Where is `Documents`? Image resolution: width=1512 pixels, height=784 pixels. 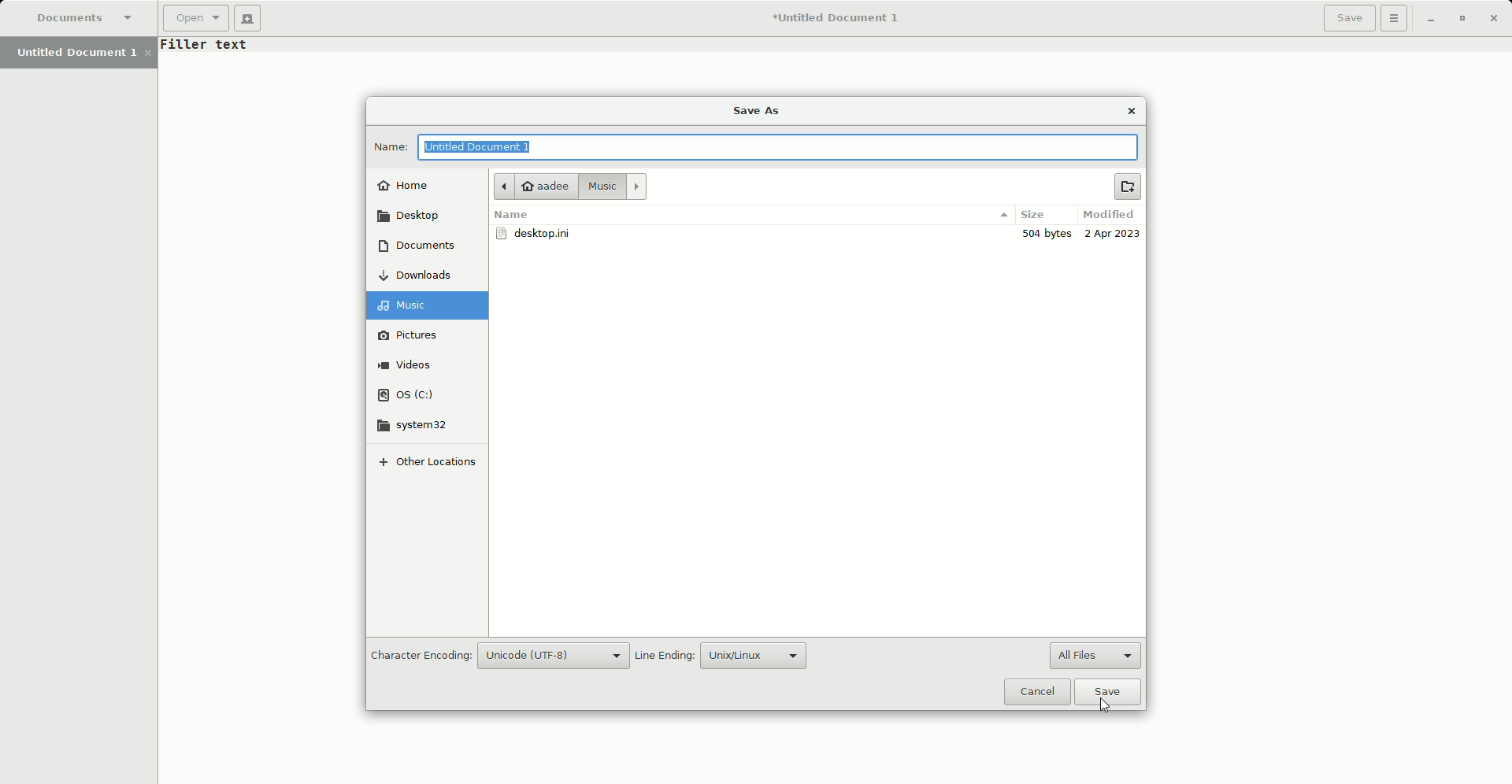
Documents is located at coordinates (84, 19).